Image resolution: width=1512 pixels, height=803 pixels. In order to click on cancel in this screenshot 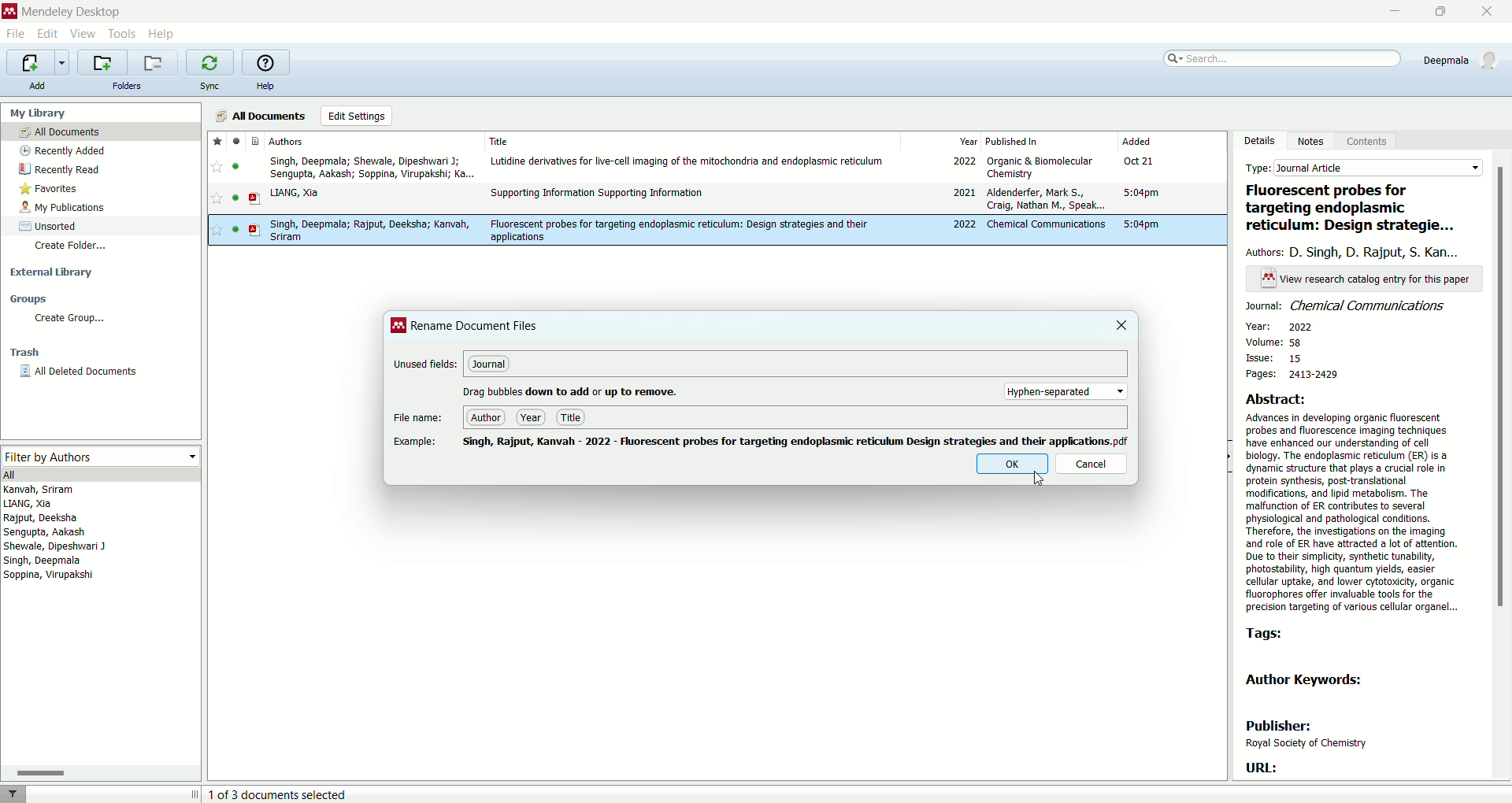, I will do `click(1083, 465)`.